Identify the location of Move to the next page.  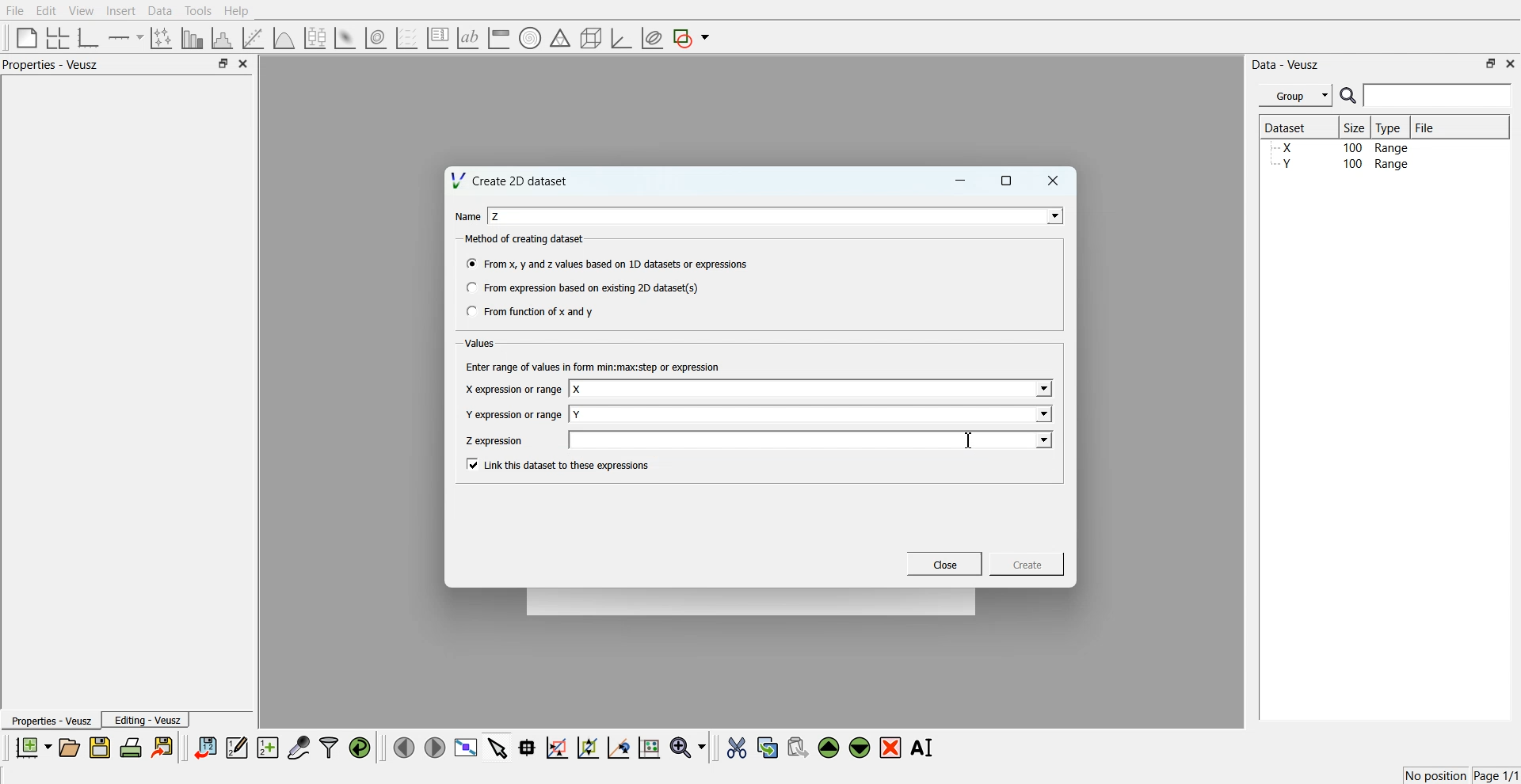
(435, 746).